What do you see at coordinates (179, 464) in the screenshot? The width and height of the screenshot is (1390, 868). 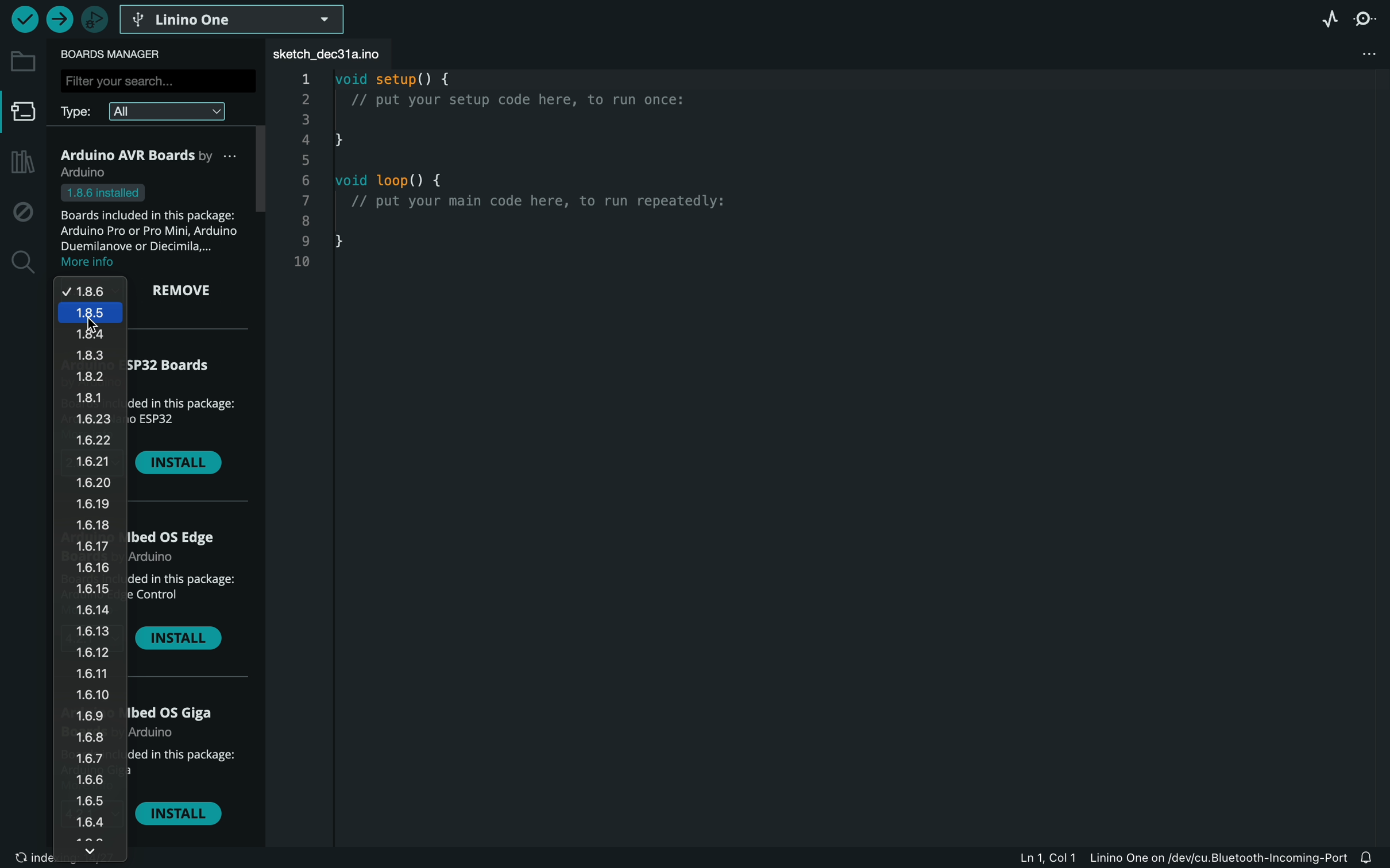 I see `install` at bounding box center [179, 464].